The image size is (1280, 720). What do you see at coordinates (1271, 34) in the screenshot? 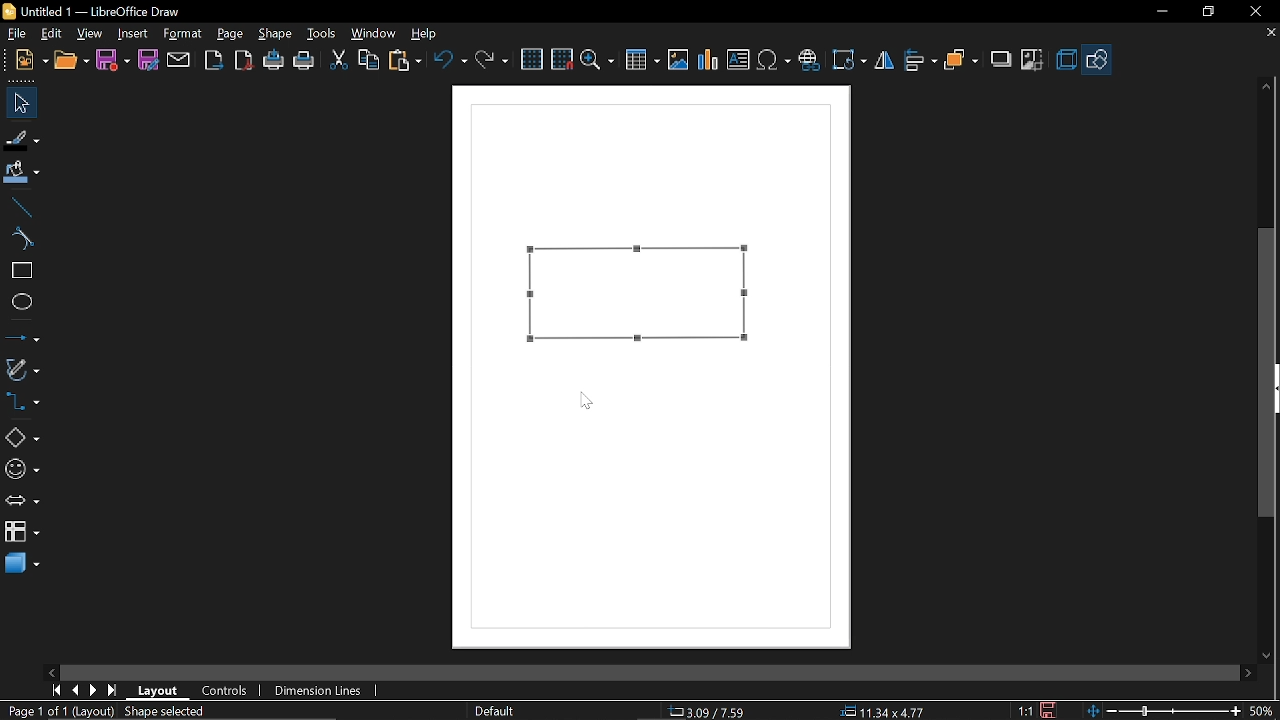
I see `close tab` at bounding box center [1271, 34].